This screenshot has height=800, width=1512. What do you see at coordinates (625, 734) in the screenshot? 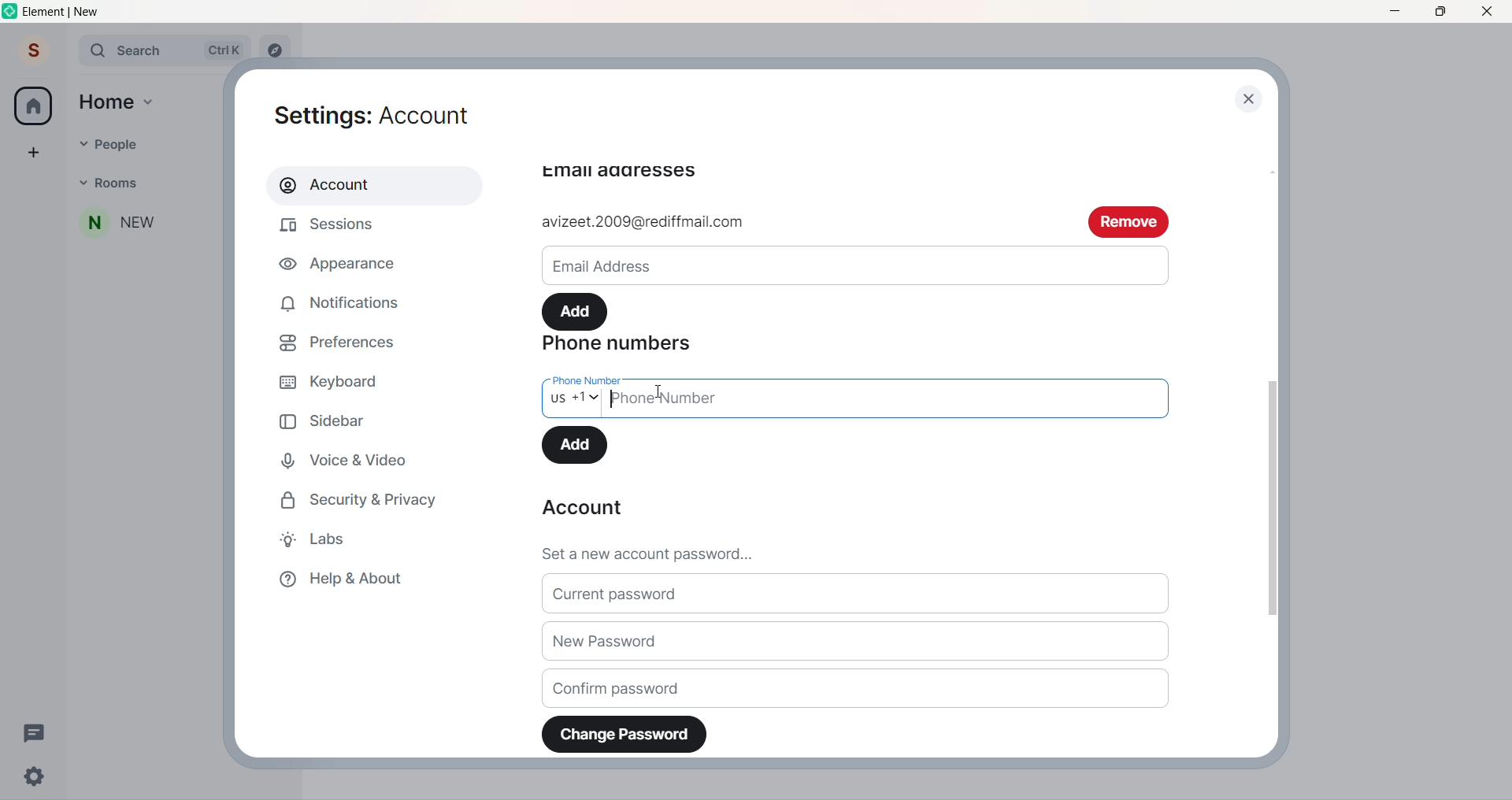
I see `Change Password` at bounding box center [625, 734].